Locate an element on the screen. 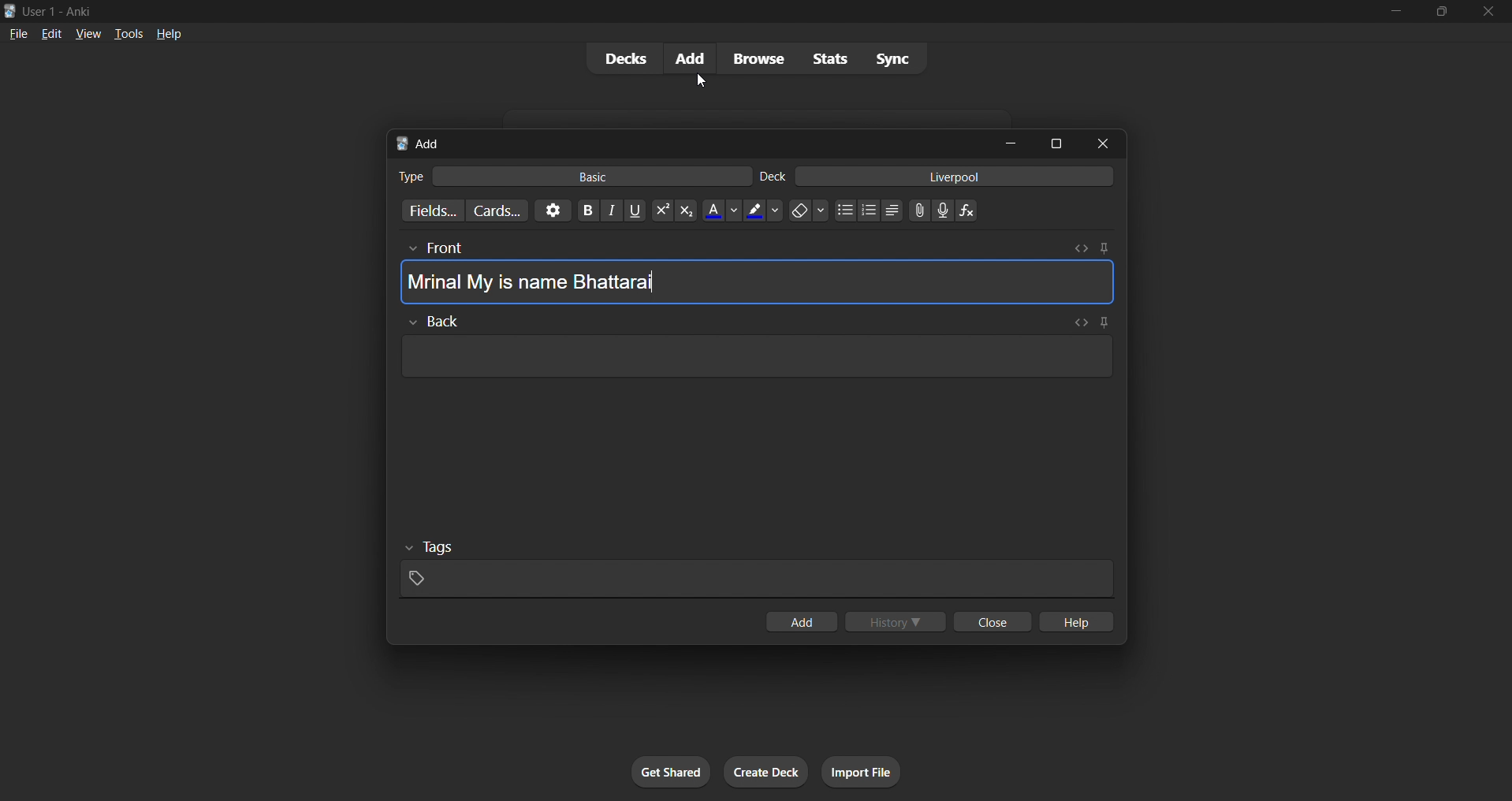  insert photos is located at coordinates (916, 210).